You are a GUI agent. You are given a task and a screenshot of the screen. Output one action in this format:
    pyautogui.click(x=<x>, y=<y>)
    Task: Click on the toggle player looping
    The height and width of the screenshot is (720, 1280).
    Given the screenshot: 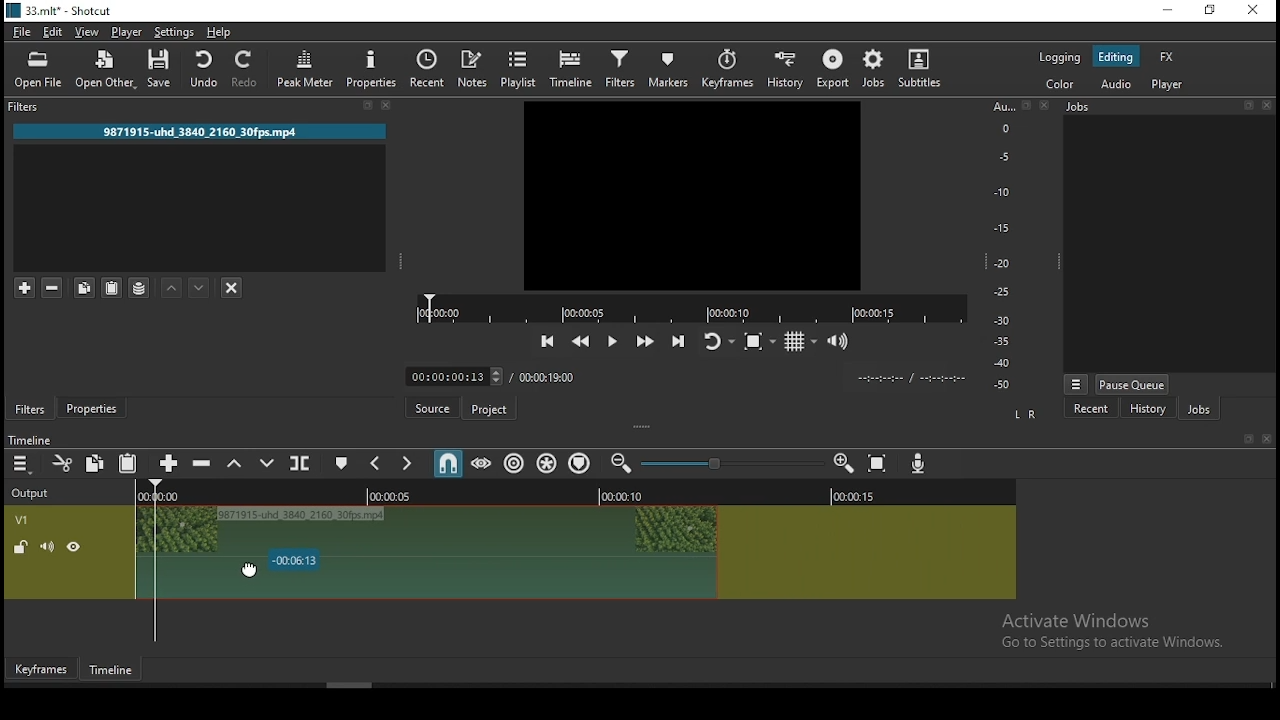 What is the action you would take?
    pyautogui.click(x=717, y=342)
    